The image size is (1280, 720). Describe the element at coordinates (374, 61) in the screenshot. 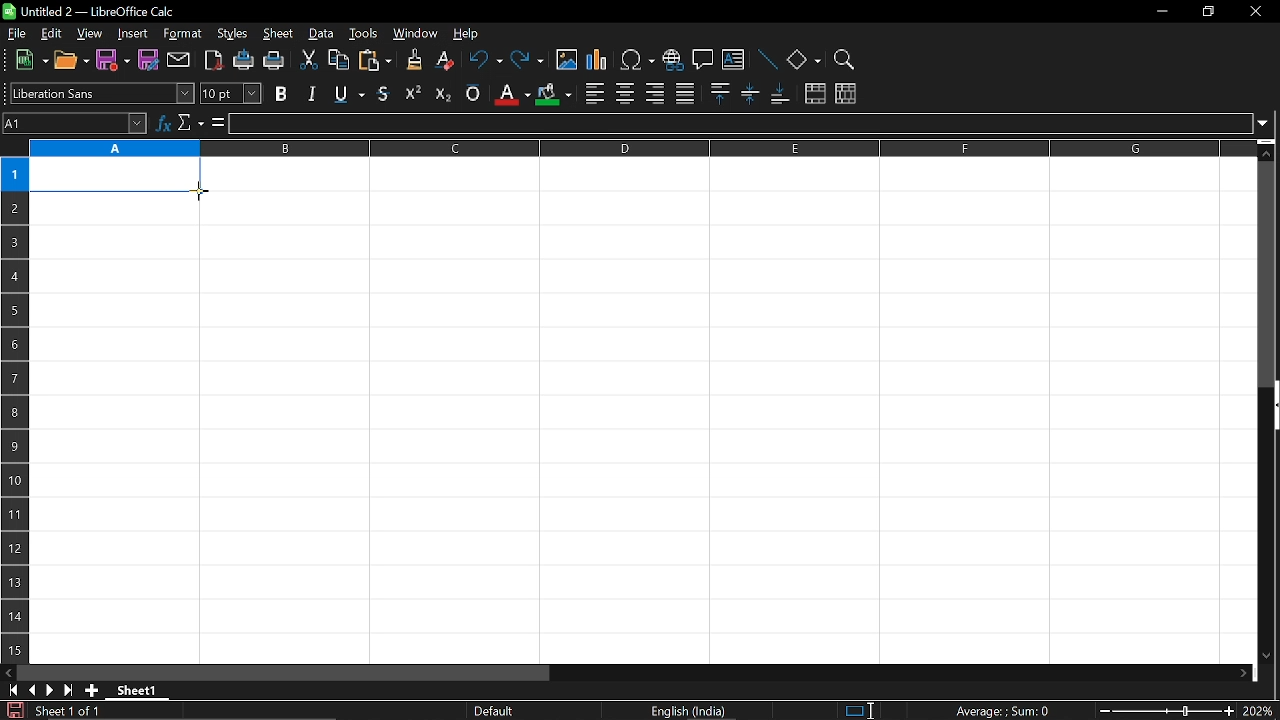

I see `paste` at that location.